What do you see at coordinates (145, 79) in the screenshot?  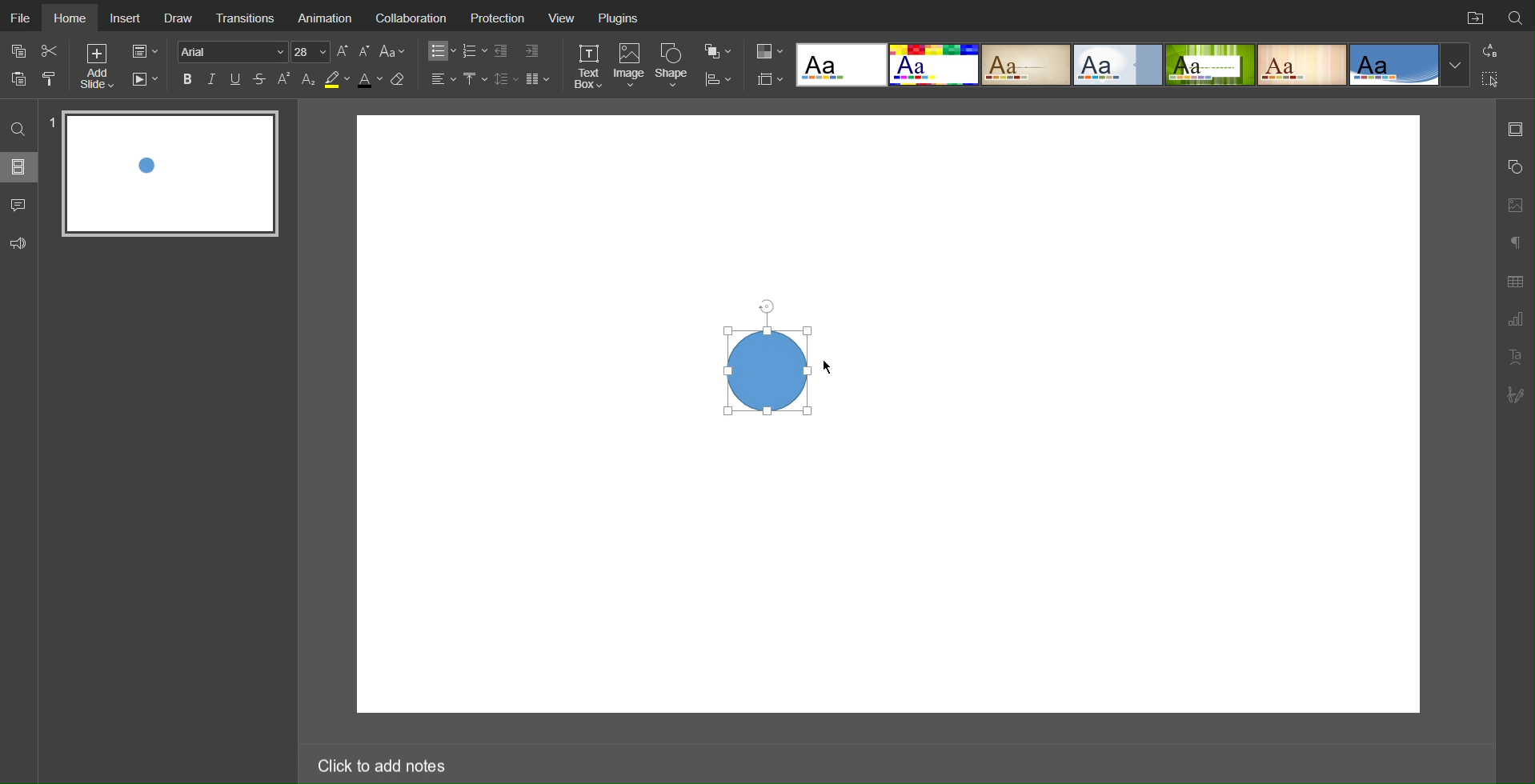 I see `Playback Settings` at bounding box center [145, 79].